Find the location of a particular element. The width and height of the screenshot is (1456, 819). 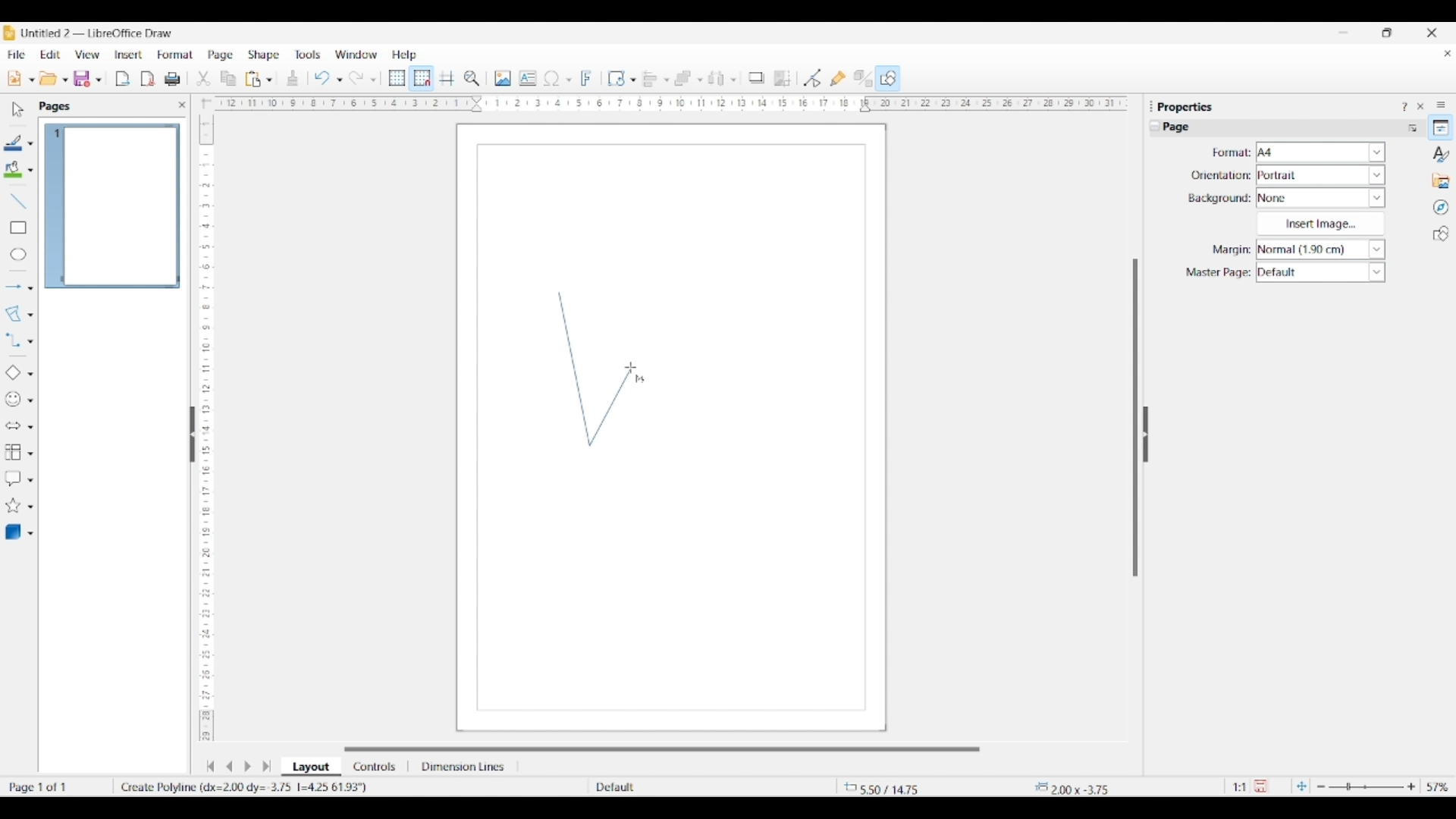

Helplines while moving is located at coordinates (447, 77).